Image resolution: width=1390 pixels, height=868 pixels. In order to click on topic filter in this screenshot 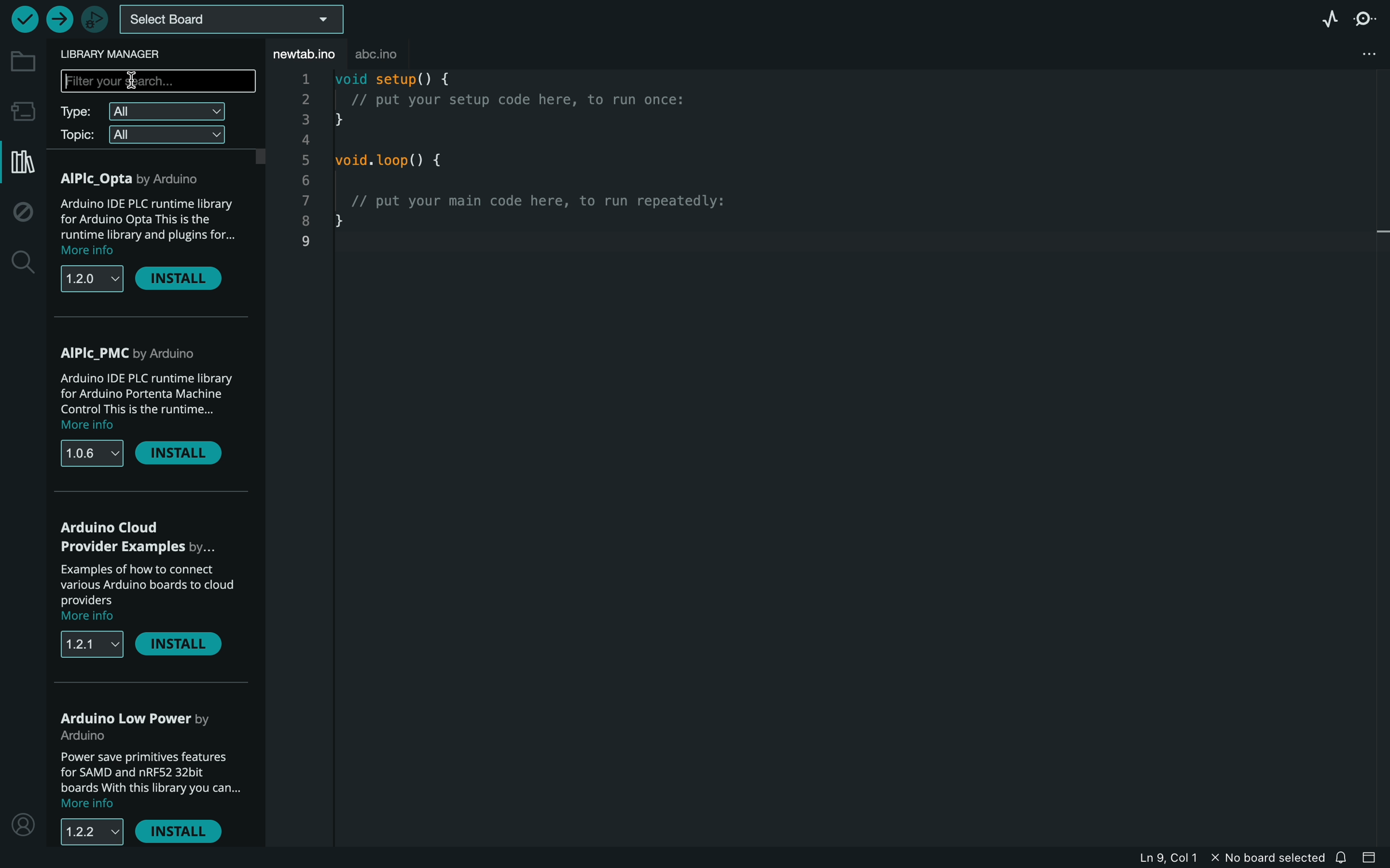, I will do `click(148, 134)`.